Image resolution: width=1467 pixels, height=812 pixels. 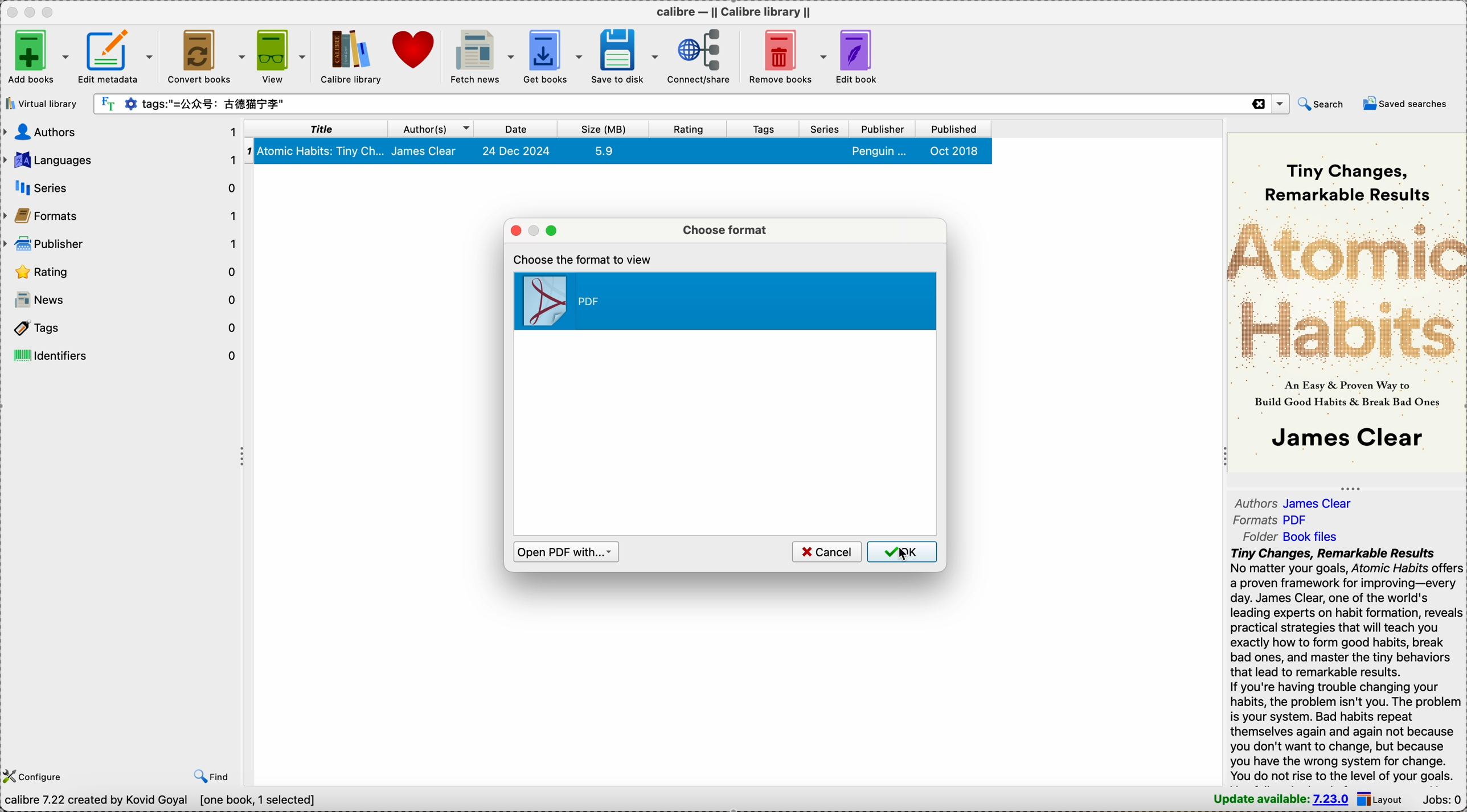 I want to click on connect/share, so click(x=699, y=57).